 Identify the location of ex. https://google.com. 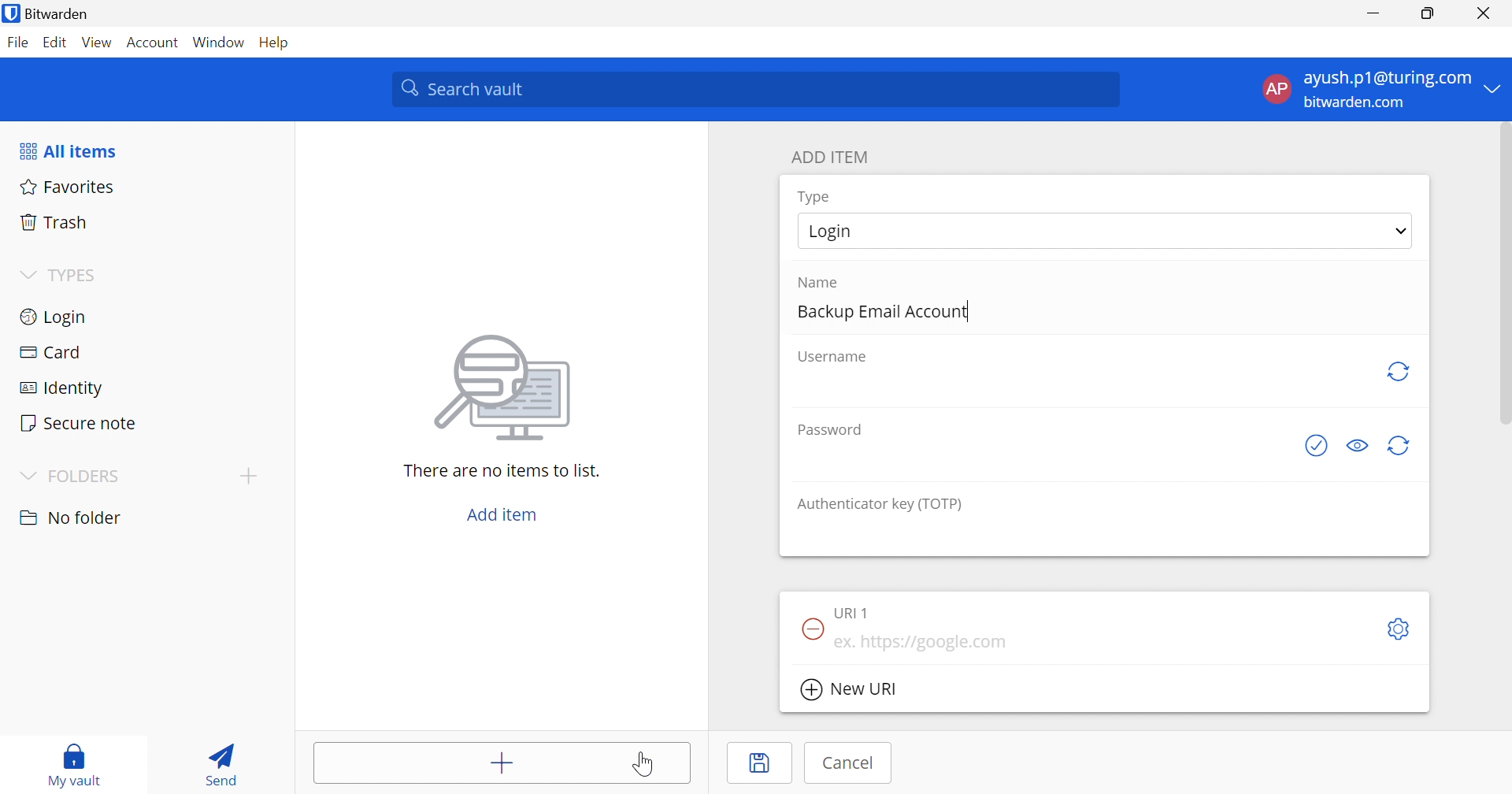
(921, 642).